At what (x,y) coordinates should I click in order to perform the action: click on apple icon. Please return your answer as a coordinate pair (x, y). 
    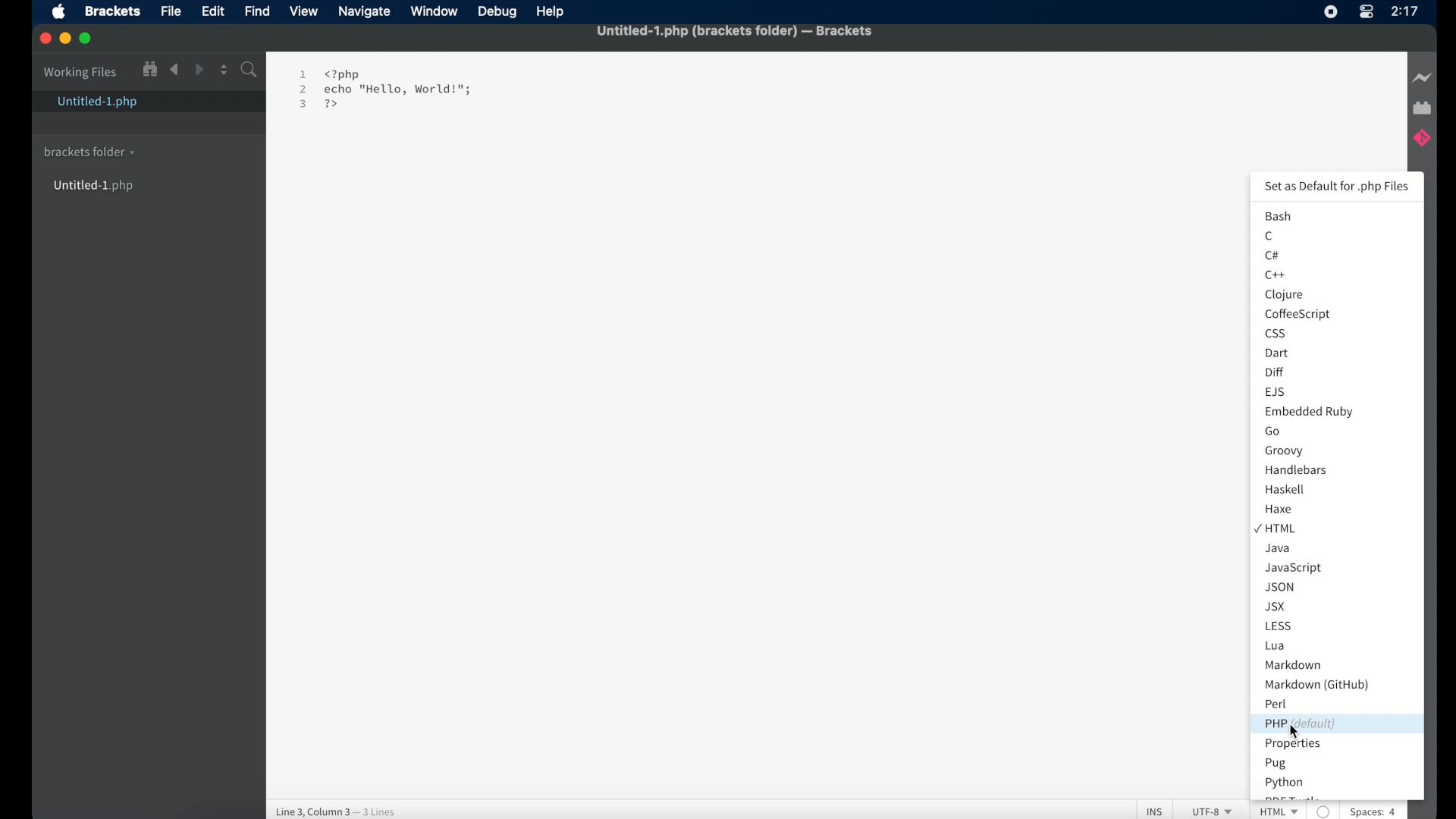
    Looking at the image, I should click on (59, 12).